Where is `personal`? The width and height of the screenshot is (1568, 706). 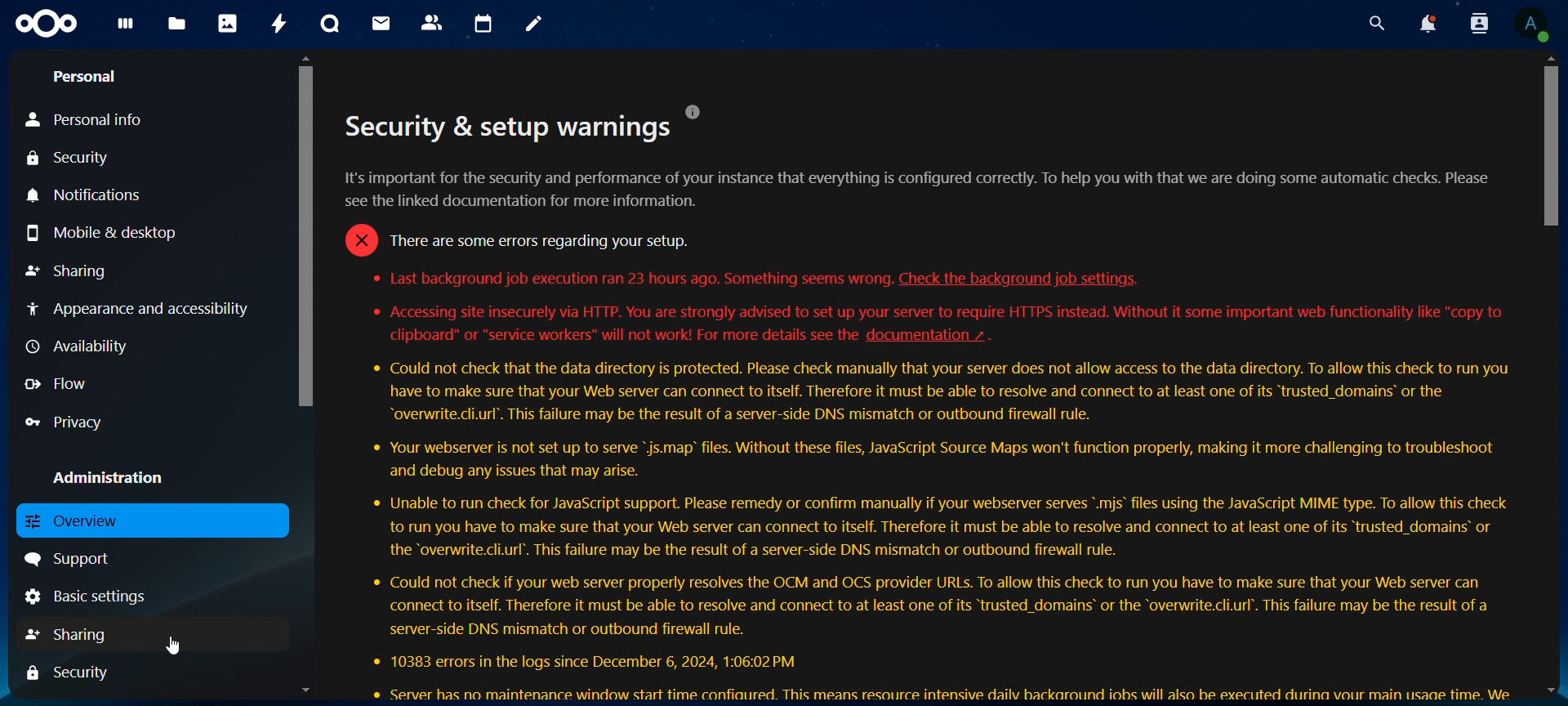 personal is located at coordinates (90, 77).